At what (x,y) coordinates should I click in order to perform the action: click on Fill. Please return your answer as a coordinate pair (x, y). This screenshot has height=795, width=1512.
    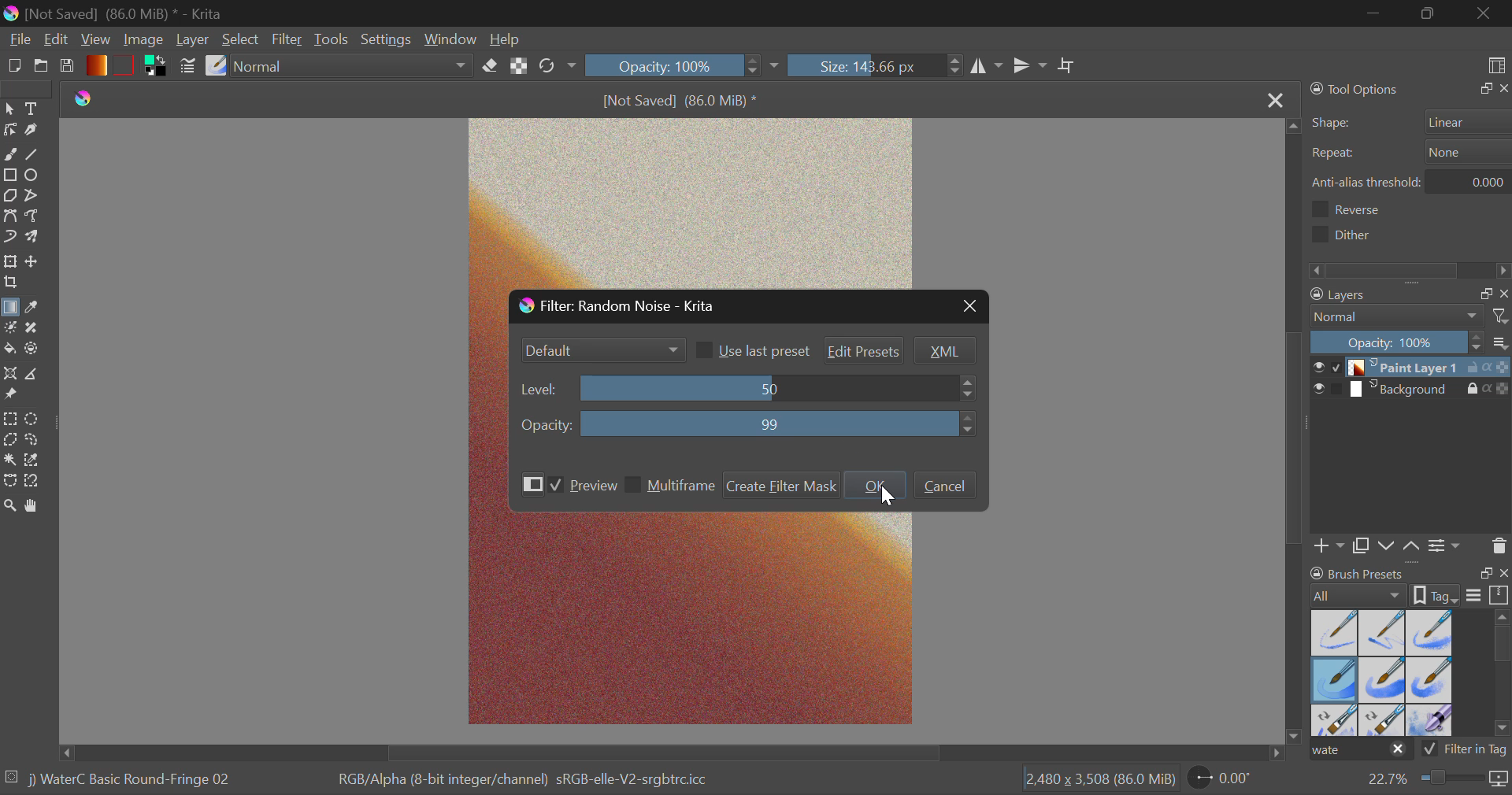
    Looking at the image, I should click on (11, 349).